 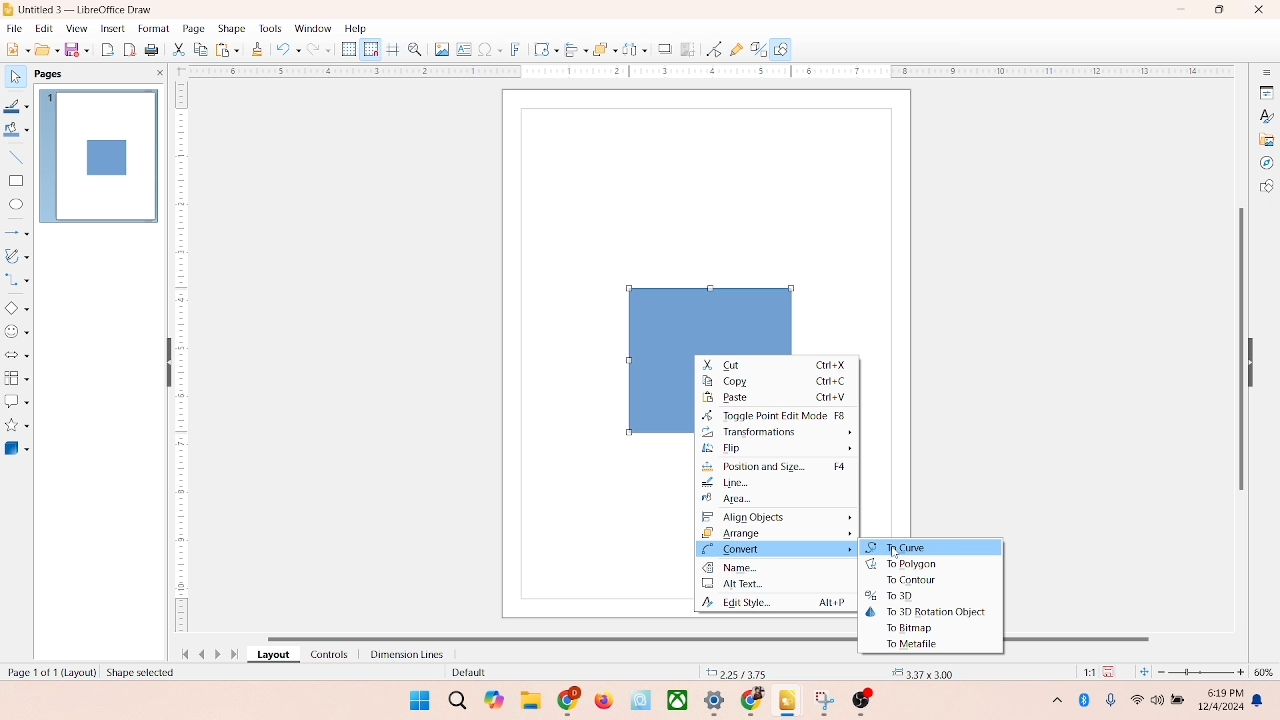 I want to click on fontwork text, so click(x=516, y=47).